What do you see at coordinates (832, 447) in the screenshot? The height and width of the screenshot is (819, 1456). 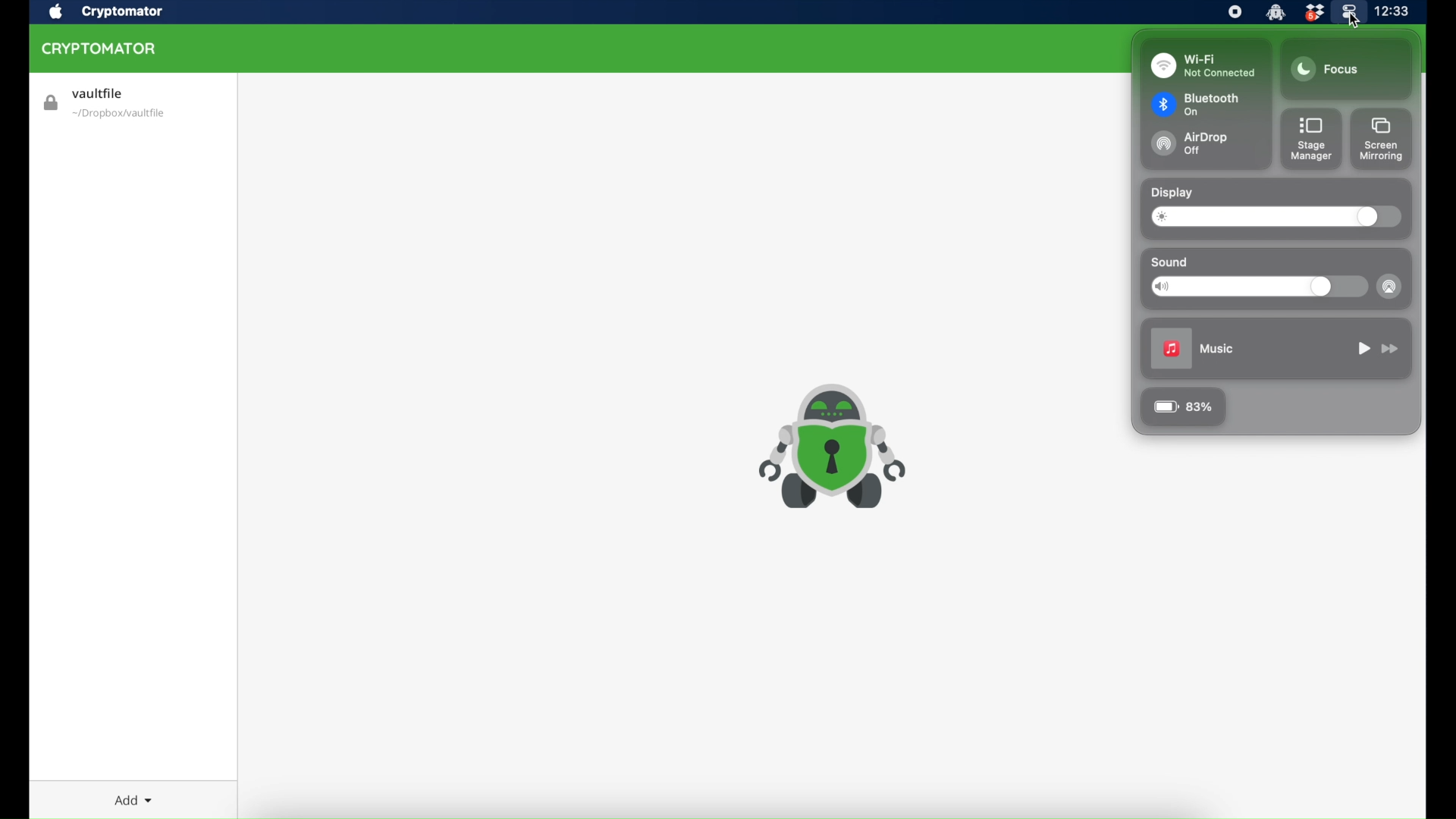 I see `cryptomator icon` at bounding box center [832, 447].